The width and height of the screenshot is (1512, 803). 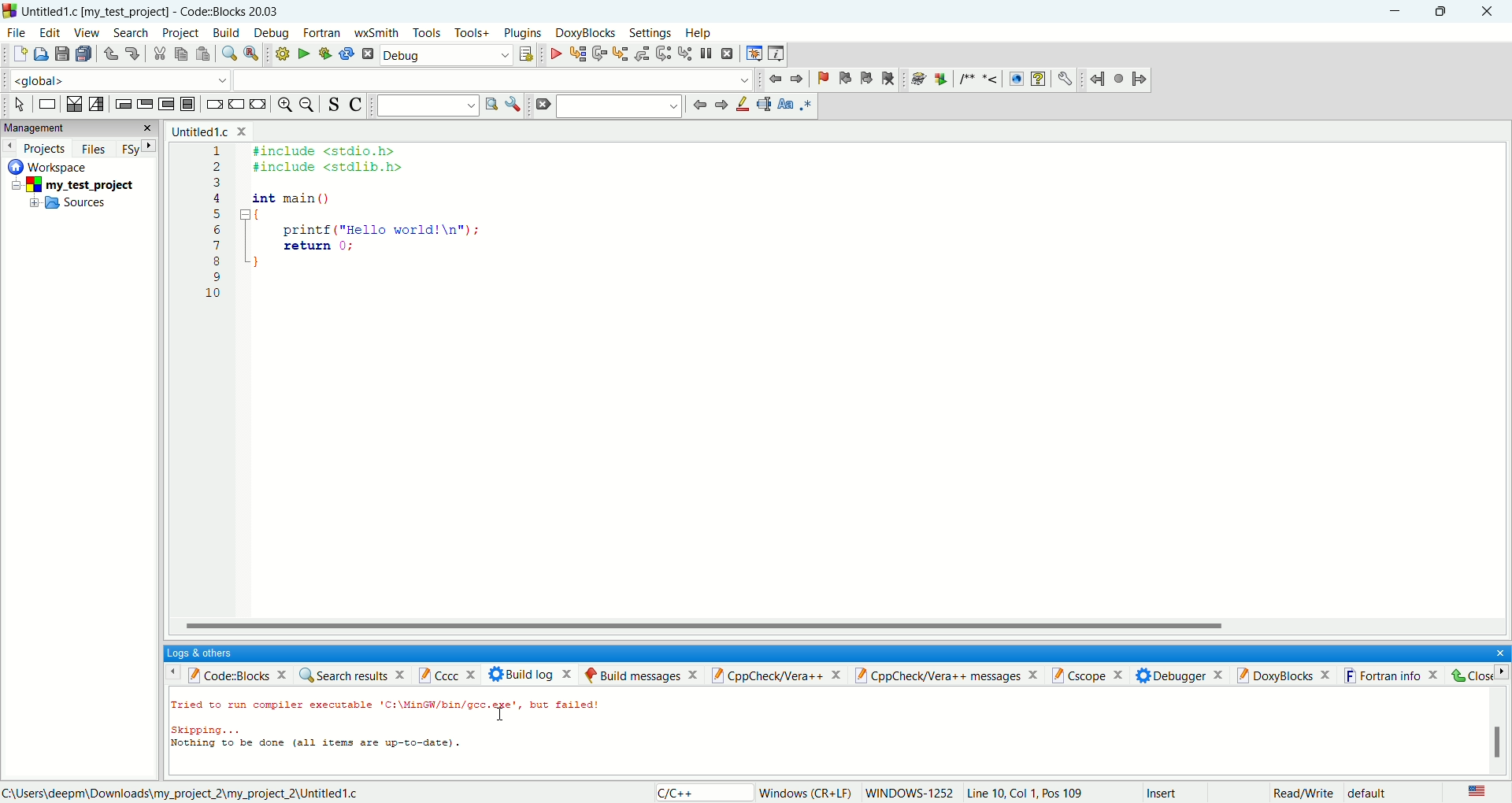 What do you see at coordinates (553, 54) in the screenshot?
I see `debug` at bounding box center [553, 54].